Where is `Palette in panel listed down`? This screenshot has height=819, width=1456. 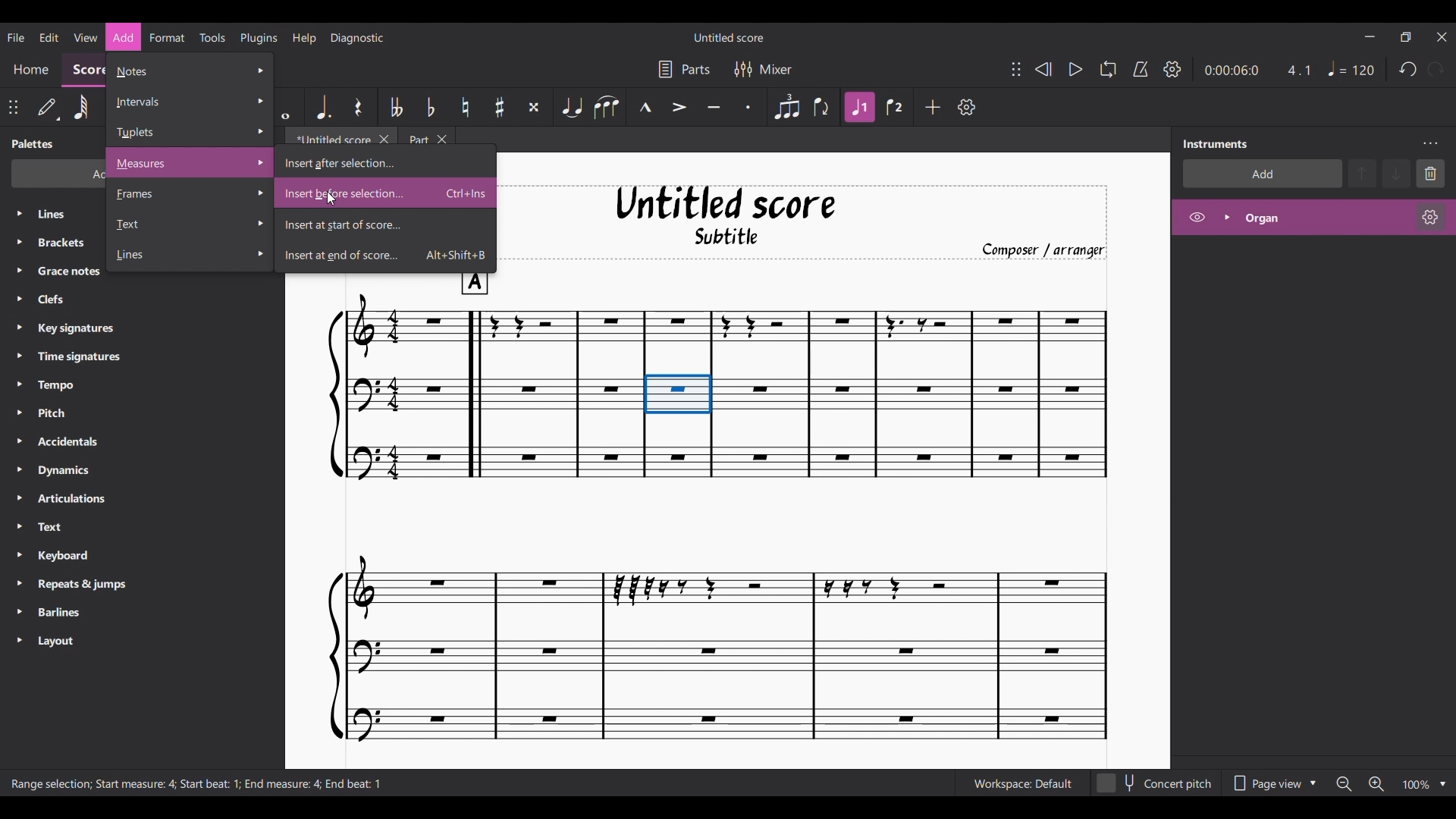 Palette in panel listed down is located at coordinates (69, 429).